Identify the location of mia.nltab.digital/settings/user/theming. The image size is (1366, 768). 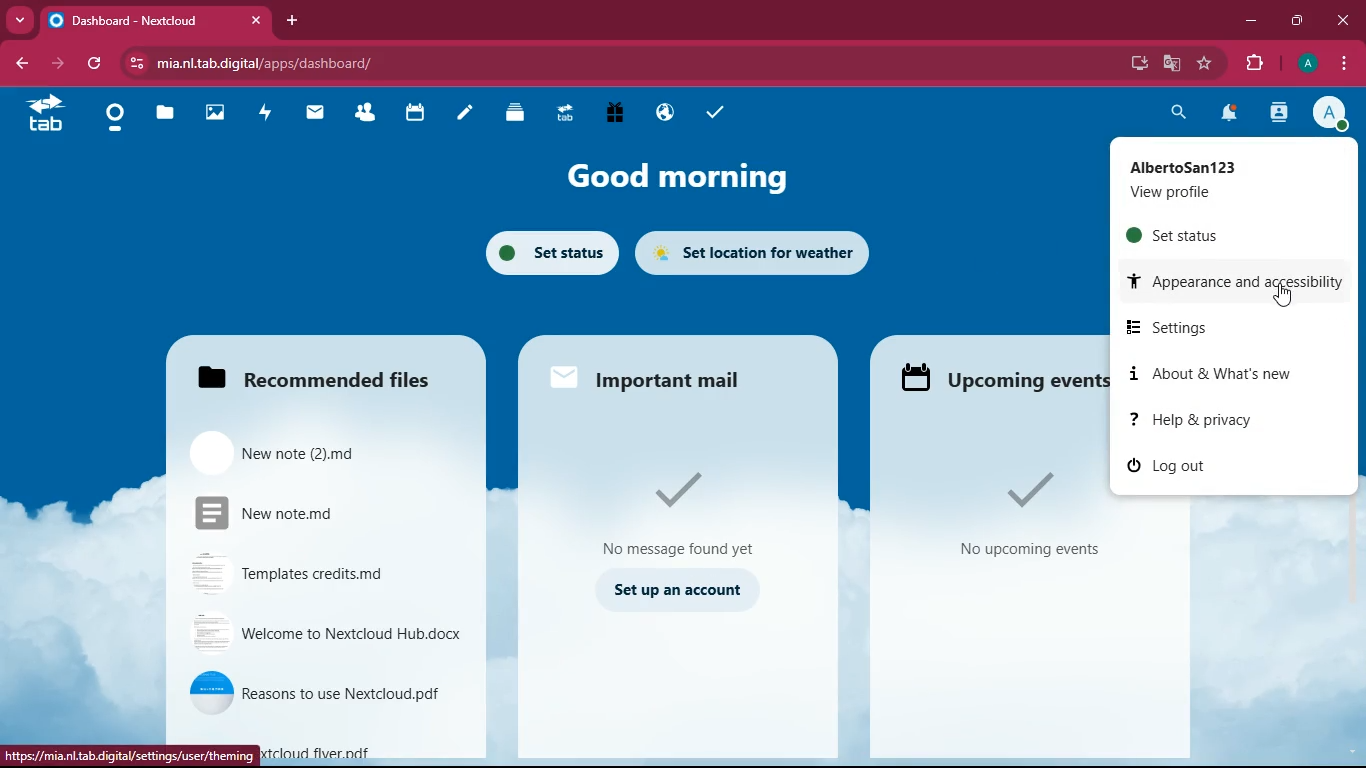
(134, 755).